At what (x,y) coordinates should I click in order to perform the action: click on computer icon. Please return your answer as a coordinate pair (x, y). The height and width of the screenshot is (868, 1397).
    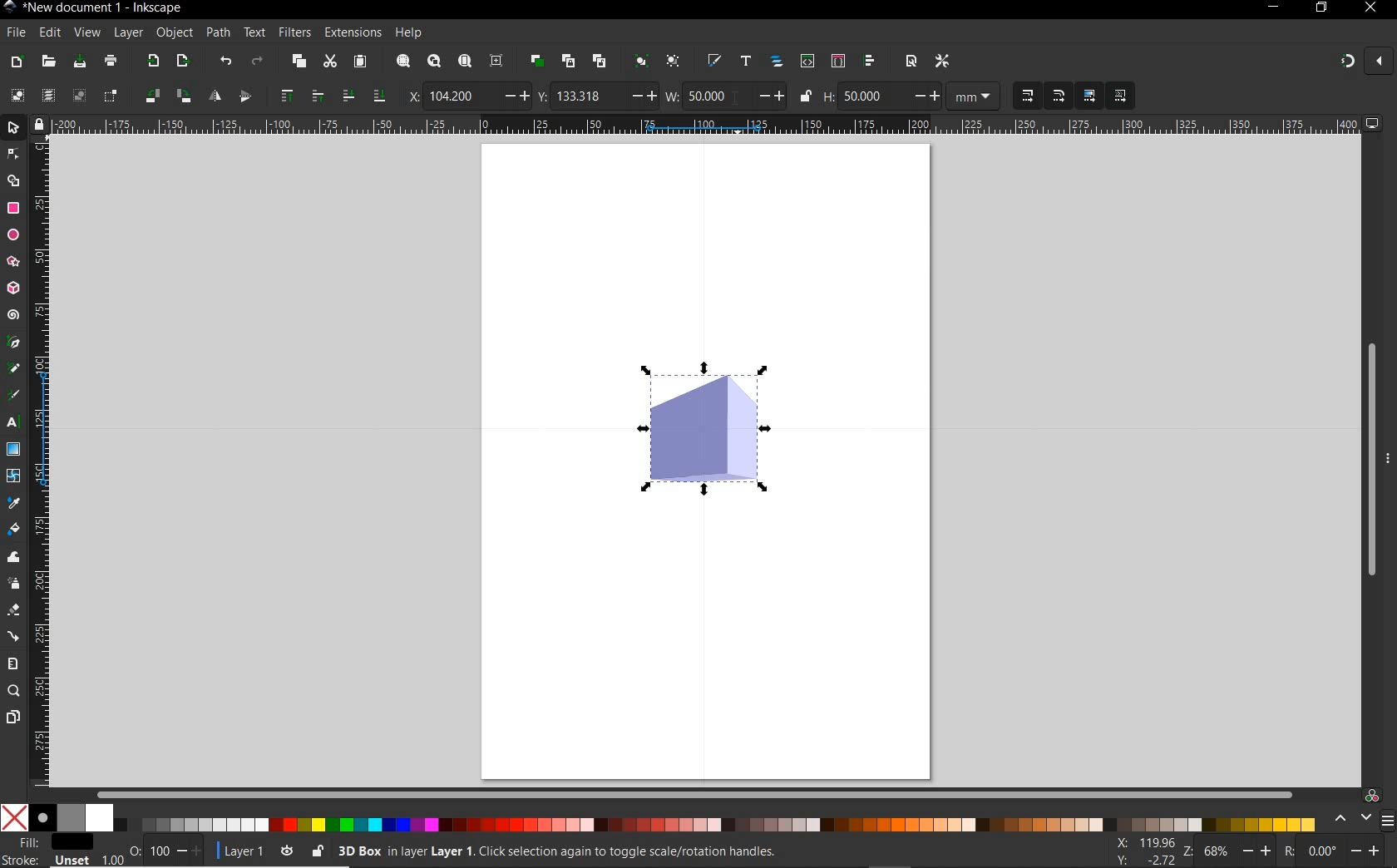
    Looking at the image, I should click on (1375, 124).